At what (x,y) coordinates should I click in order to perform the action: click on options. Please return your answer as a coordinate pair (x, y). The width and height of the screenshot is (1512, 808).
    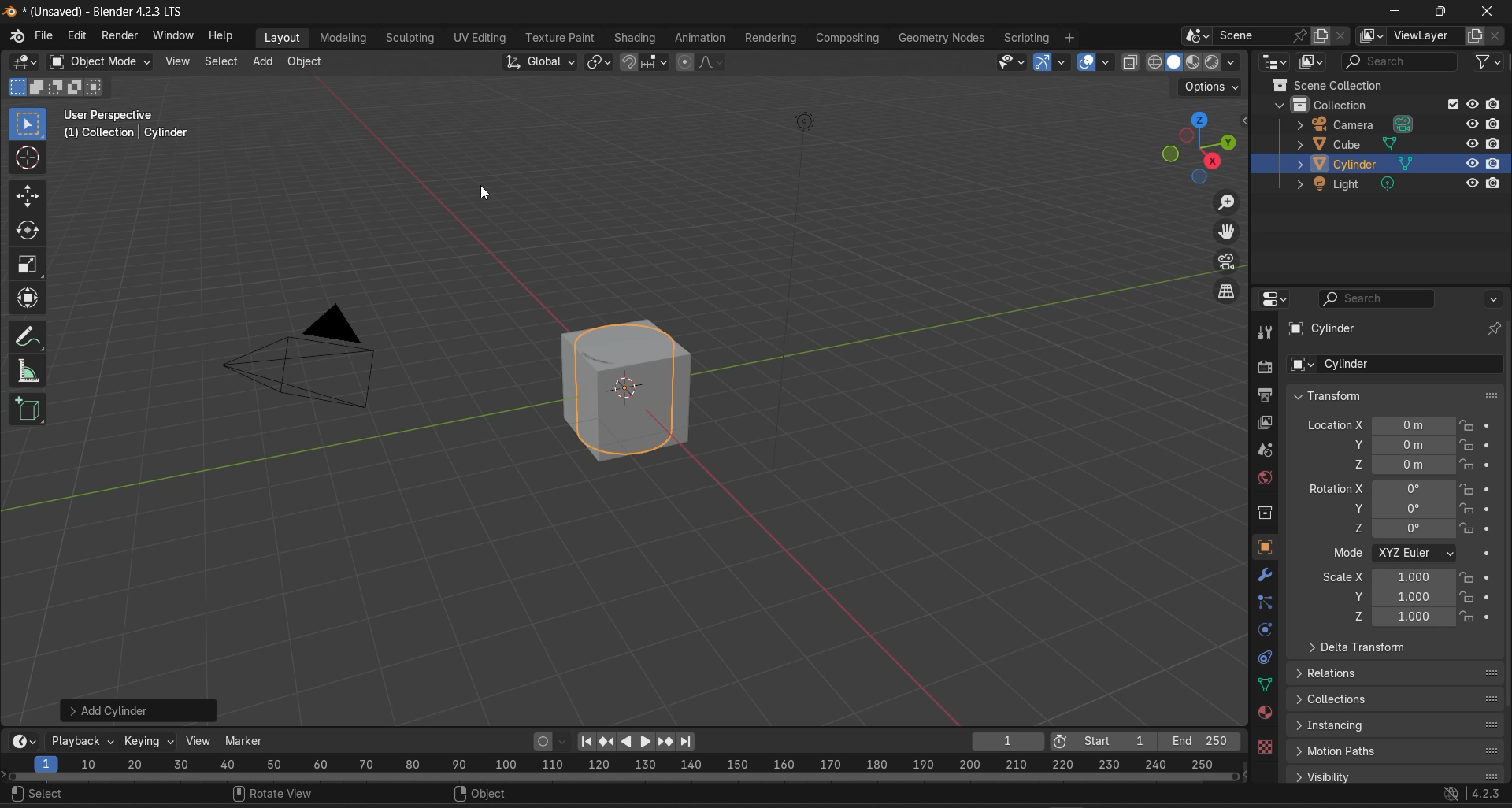
    Looking at the image, I should click on (1212, 88).